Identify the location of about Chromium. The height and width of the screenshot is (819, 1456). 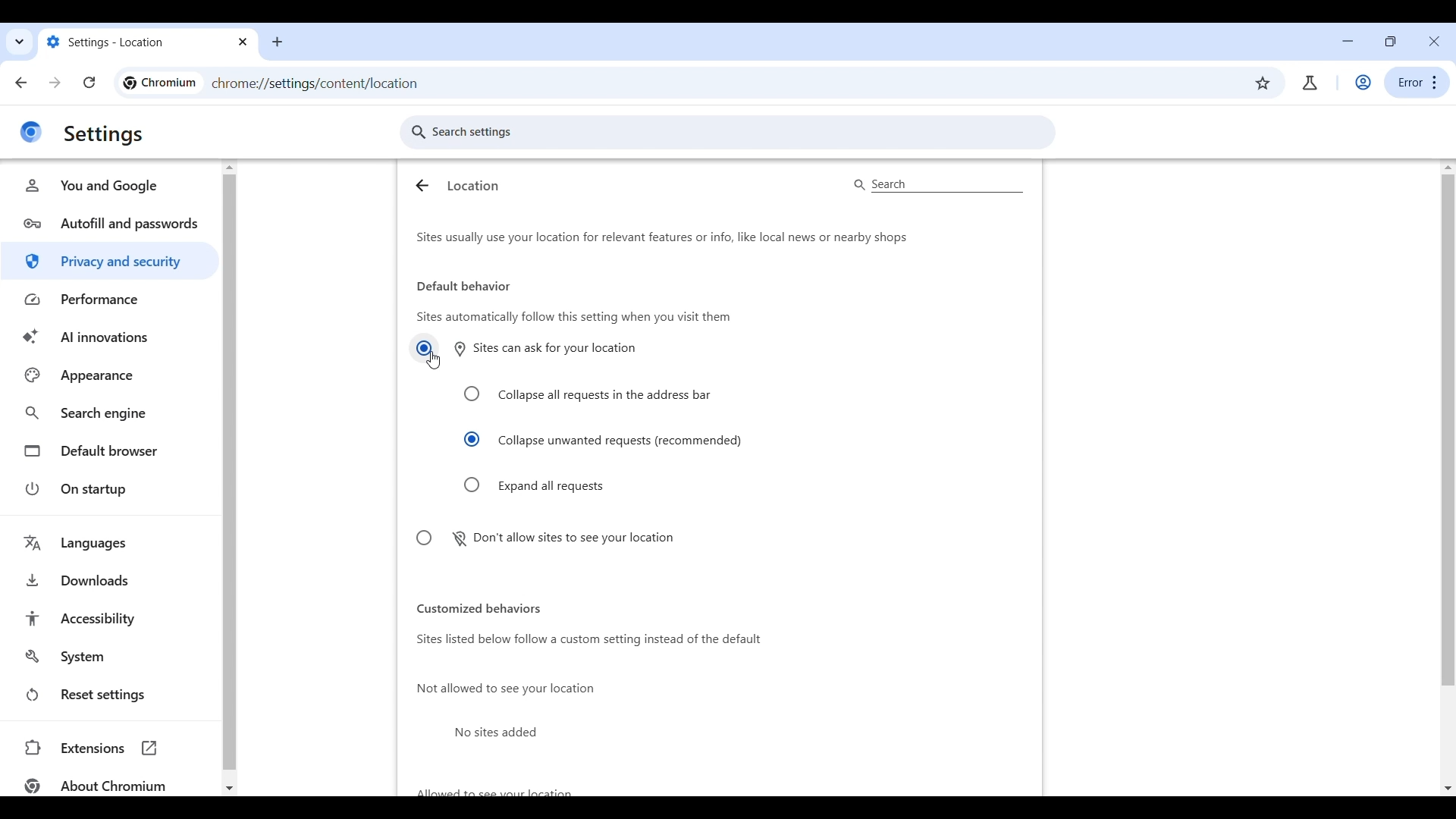
(92, 785).